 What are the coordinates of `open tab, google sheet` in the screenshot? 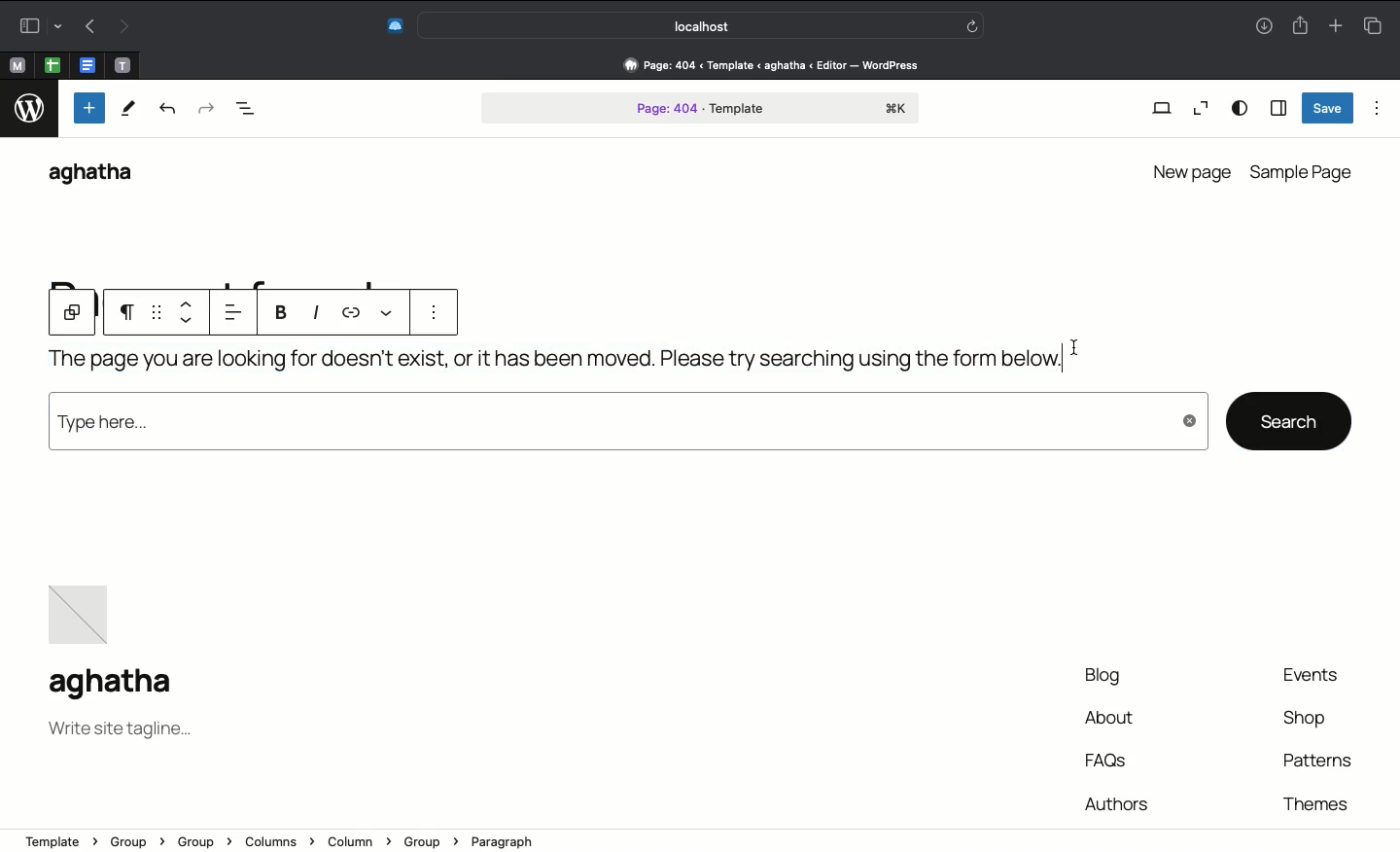 It's located at (51, 65).